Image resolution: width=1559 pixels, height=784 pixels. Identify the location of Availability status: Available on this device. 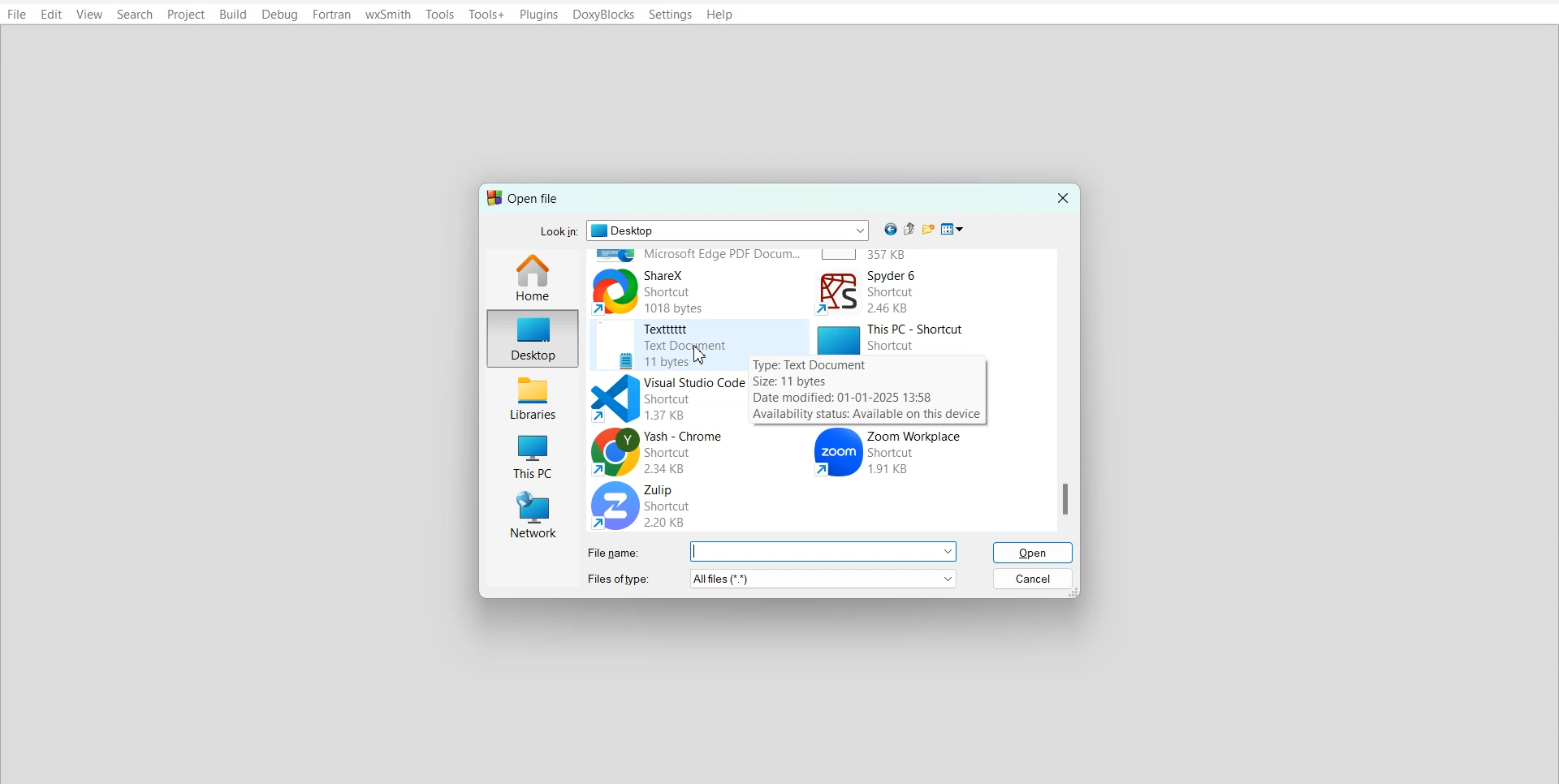
(876, 415).